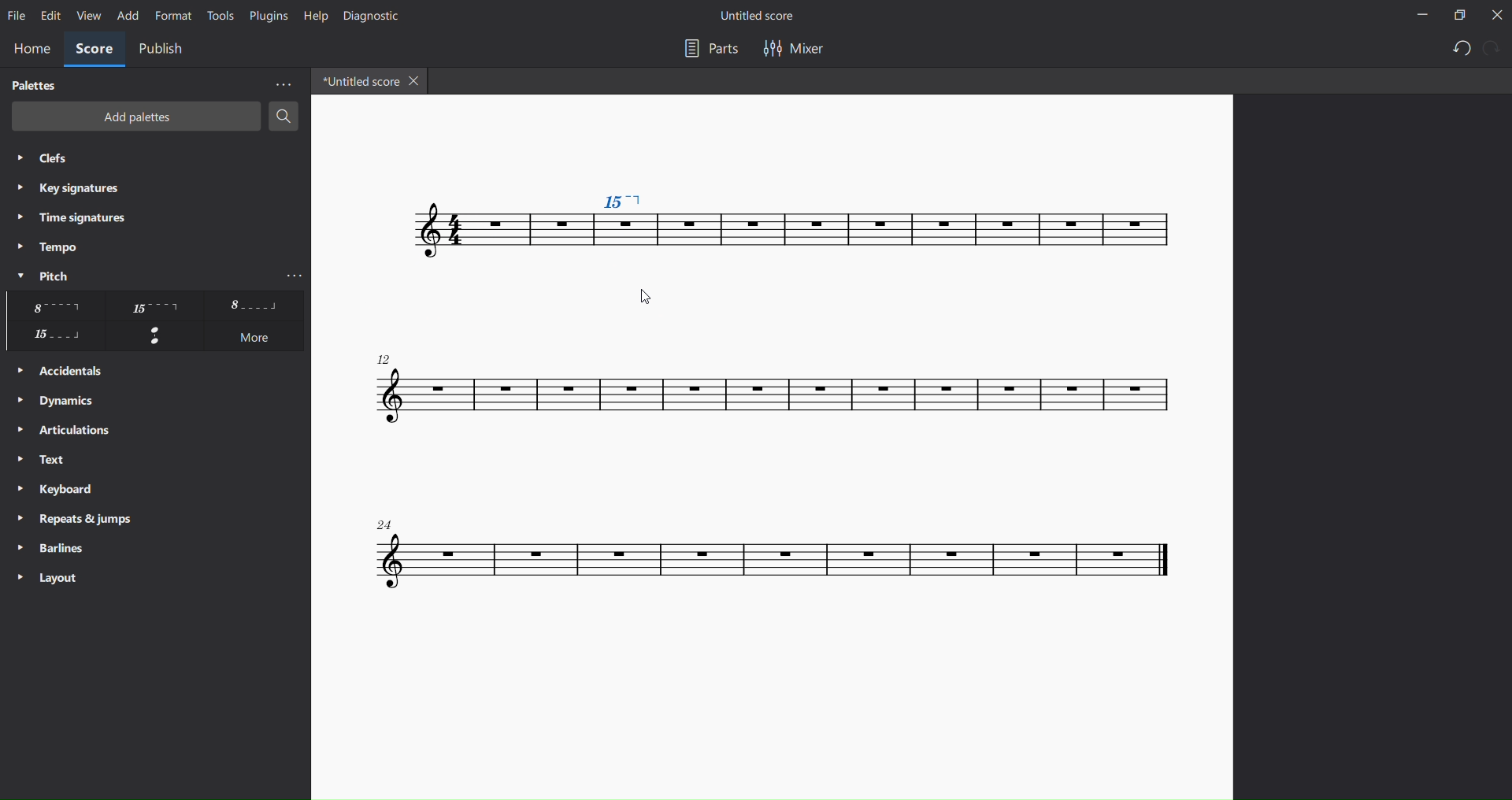  What do you see at coordinates (60, 398) in the screenshot?
I see `dynamics` at bounding box center [60, 398].